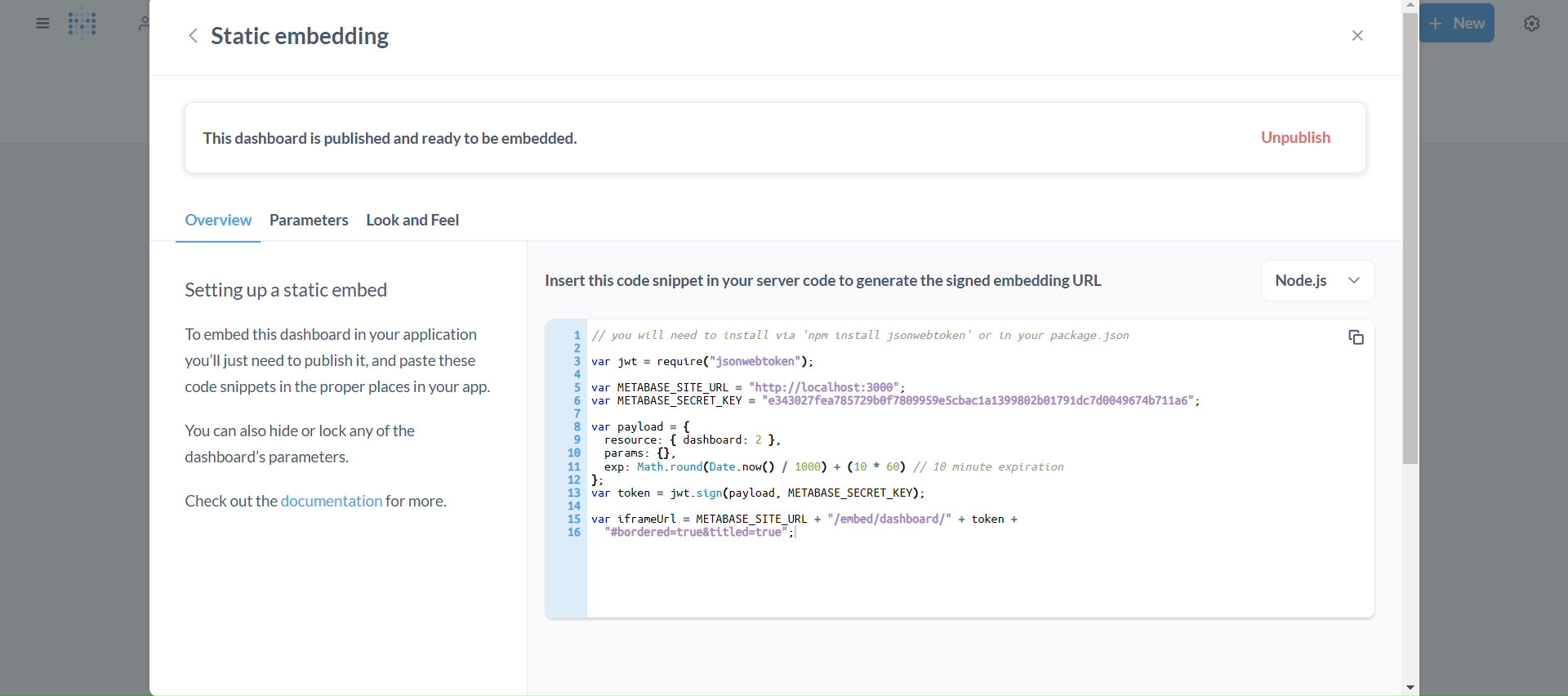  What do you see at coordinates (1407, 348) in the screenshot?
I see `vertical scroll bar` at bounding box center [1407, 348].